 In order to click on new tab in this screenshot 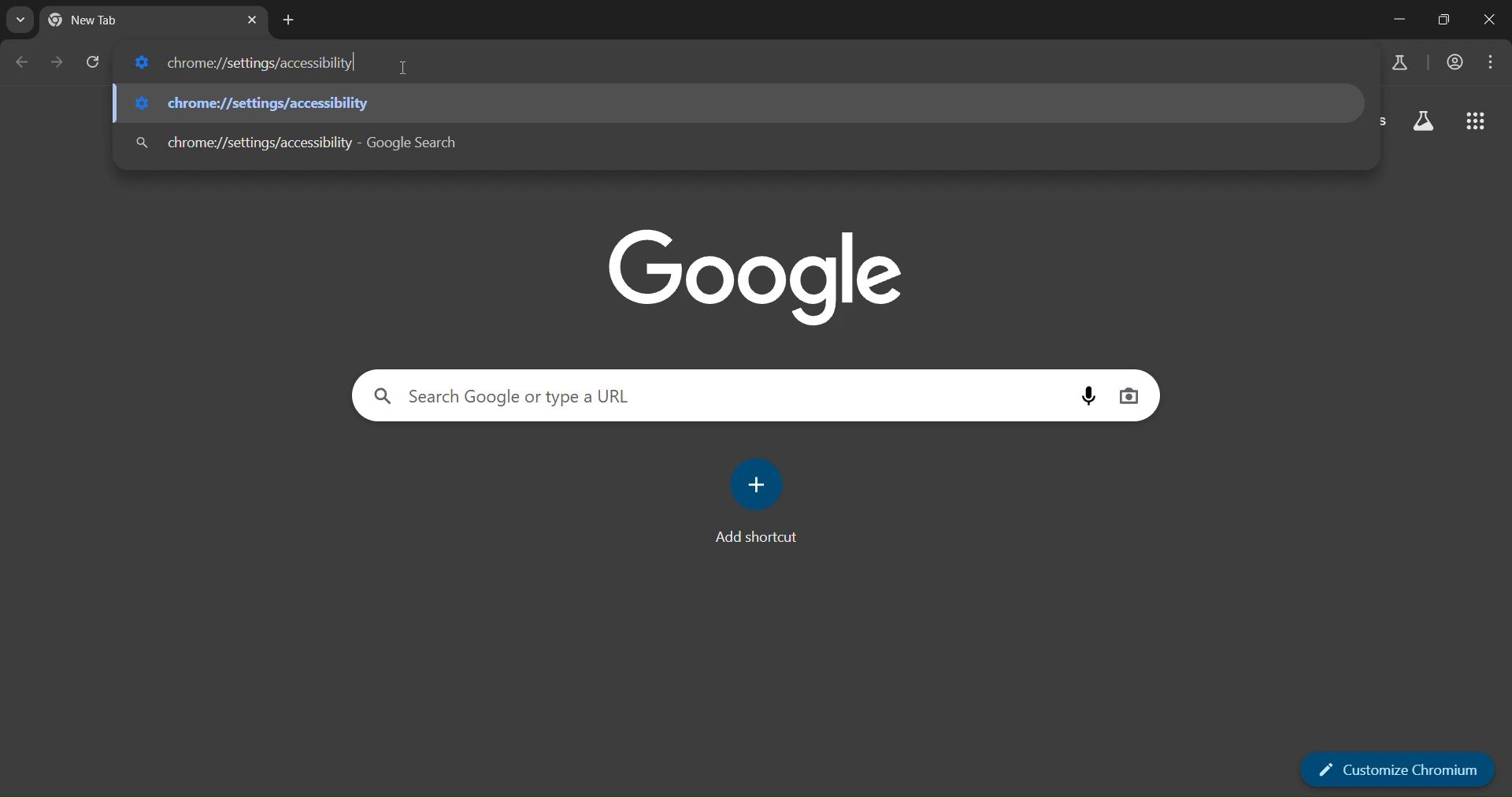, I will do `click(289, 21)`.